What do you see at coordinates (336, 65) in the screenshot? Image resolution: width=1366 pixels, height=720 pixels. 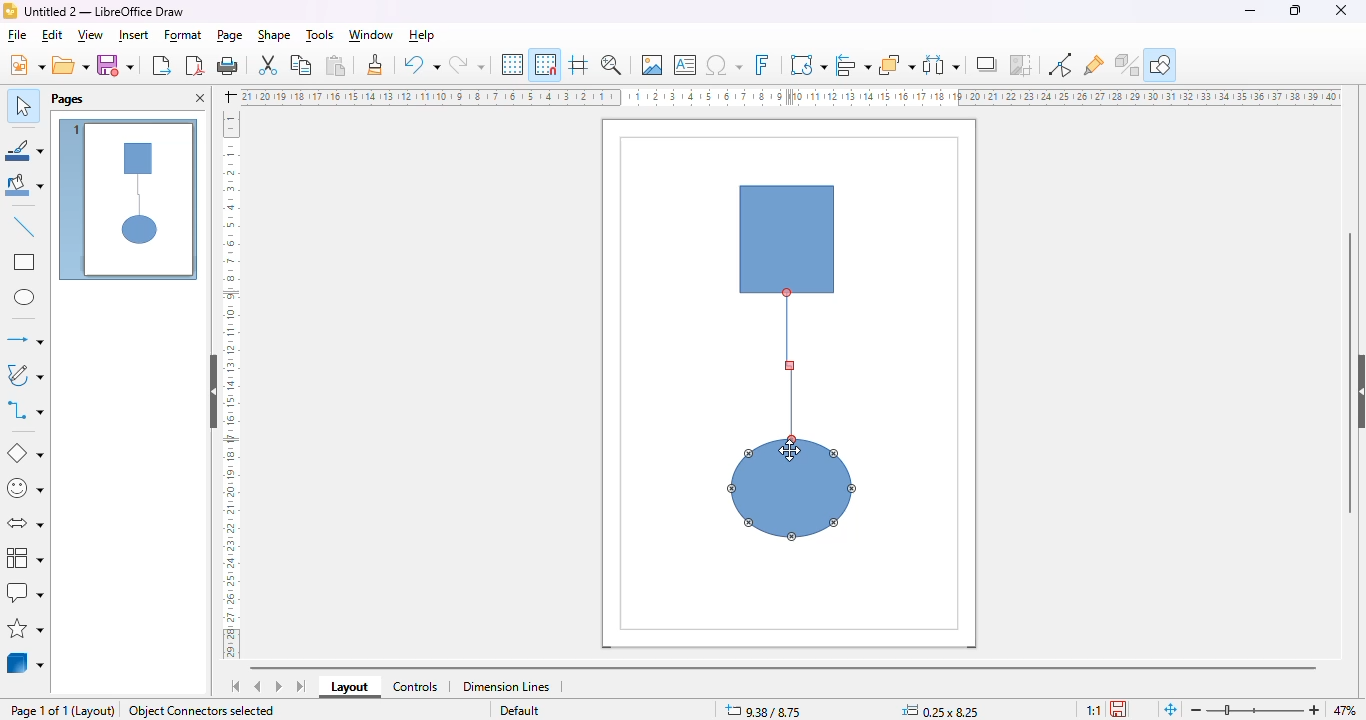 I see `paste` at bounding box center [336, 65].